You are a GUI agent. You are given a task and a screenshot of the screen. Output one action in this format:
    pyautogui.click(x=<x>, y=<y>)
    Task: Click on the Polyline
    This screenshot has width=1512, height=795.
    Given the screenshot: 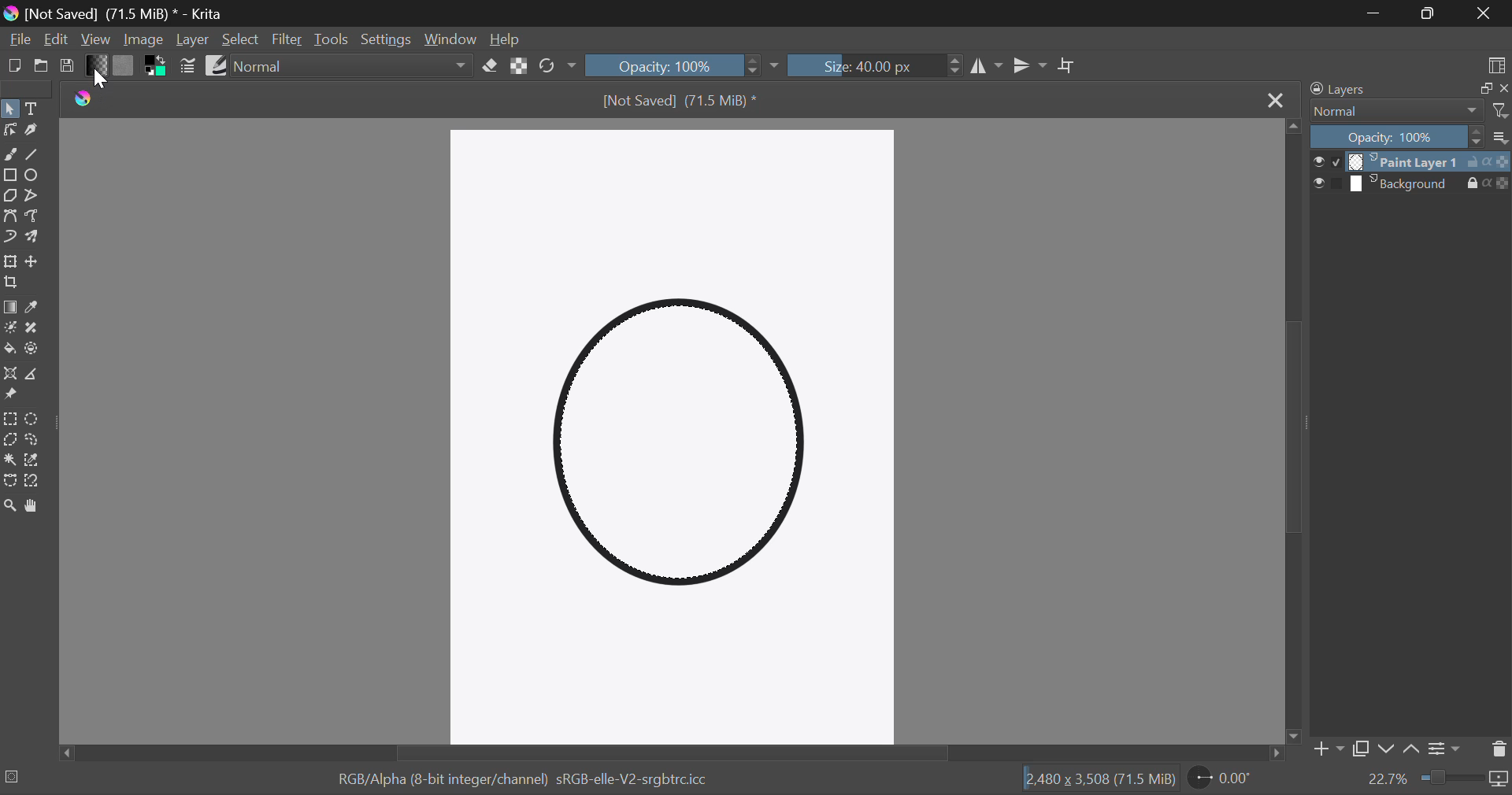 What is the action you would take?
    pyautogui.click(x=36, y=198)
    